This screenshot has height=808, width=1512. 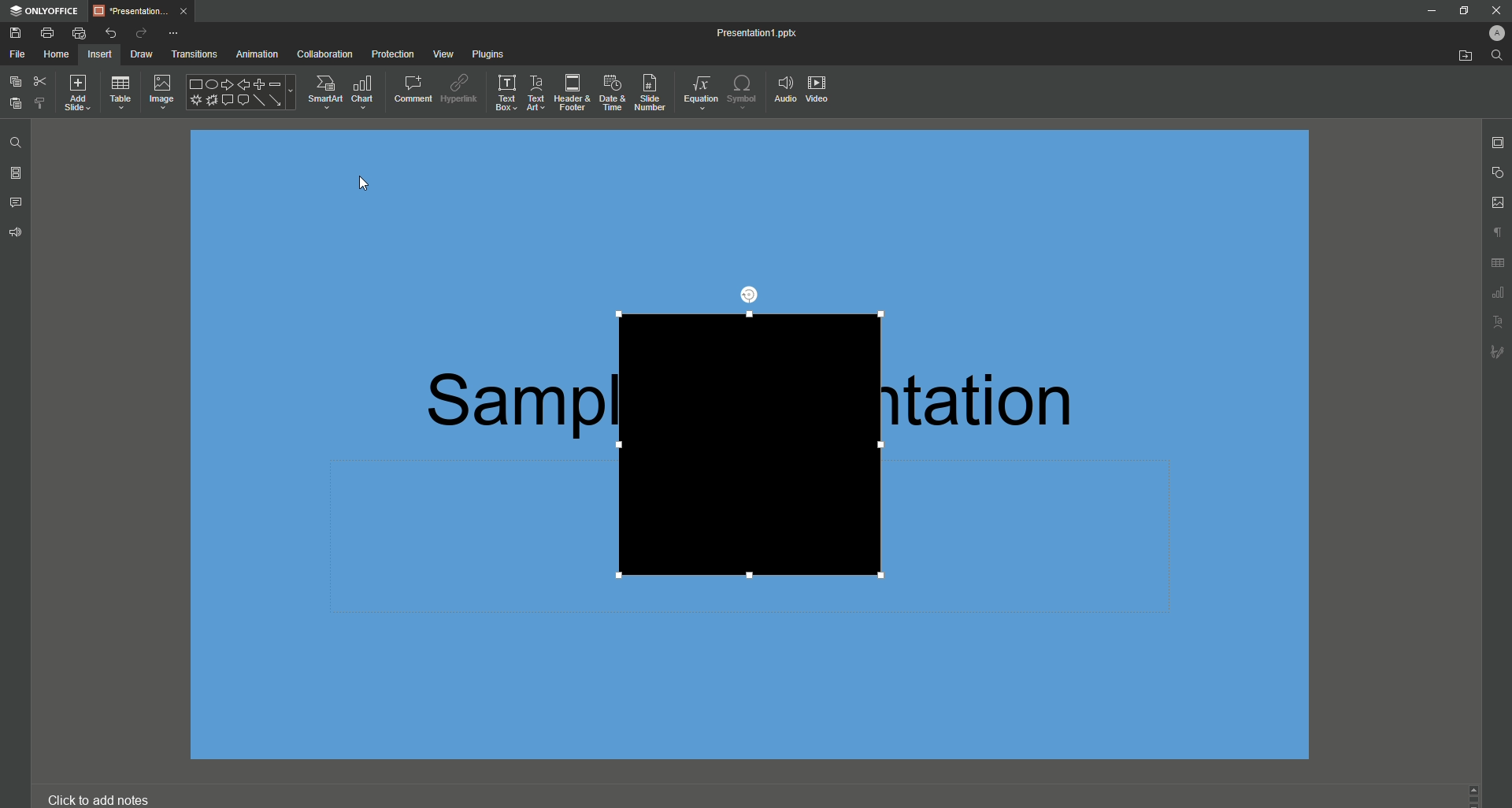 What do you see at coordinates (324, 53) in the screenshot?
I see `Collaboration` at bounding box center [324, 53].